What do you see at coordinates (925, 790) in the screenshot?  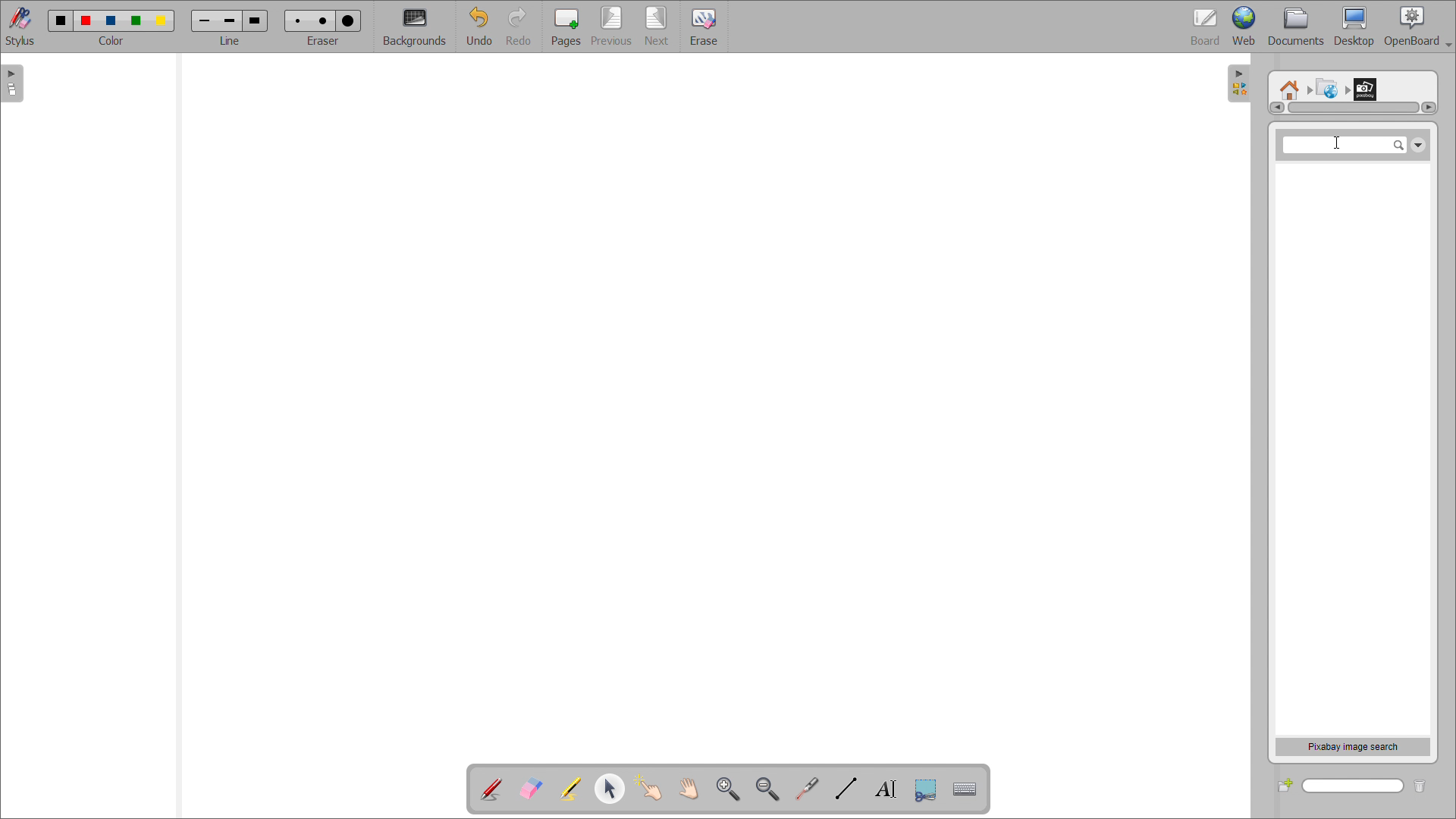 I see `` at bounding box center [925, 790].